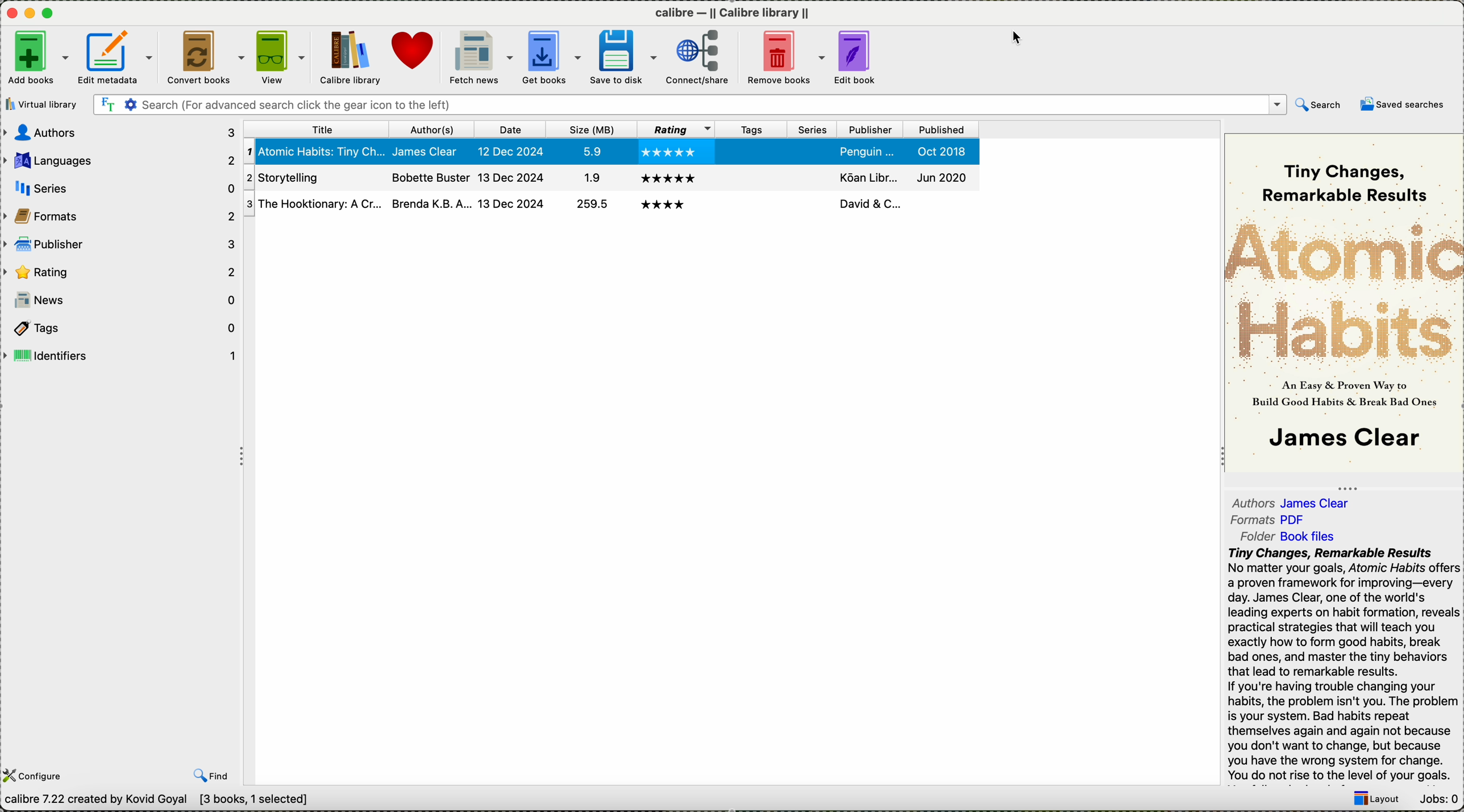 This screenshot has height=812, width=1464. I want to click on Calibre library, so click(350, 58).